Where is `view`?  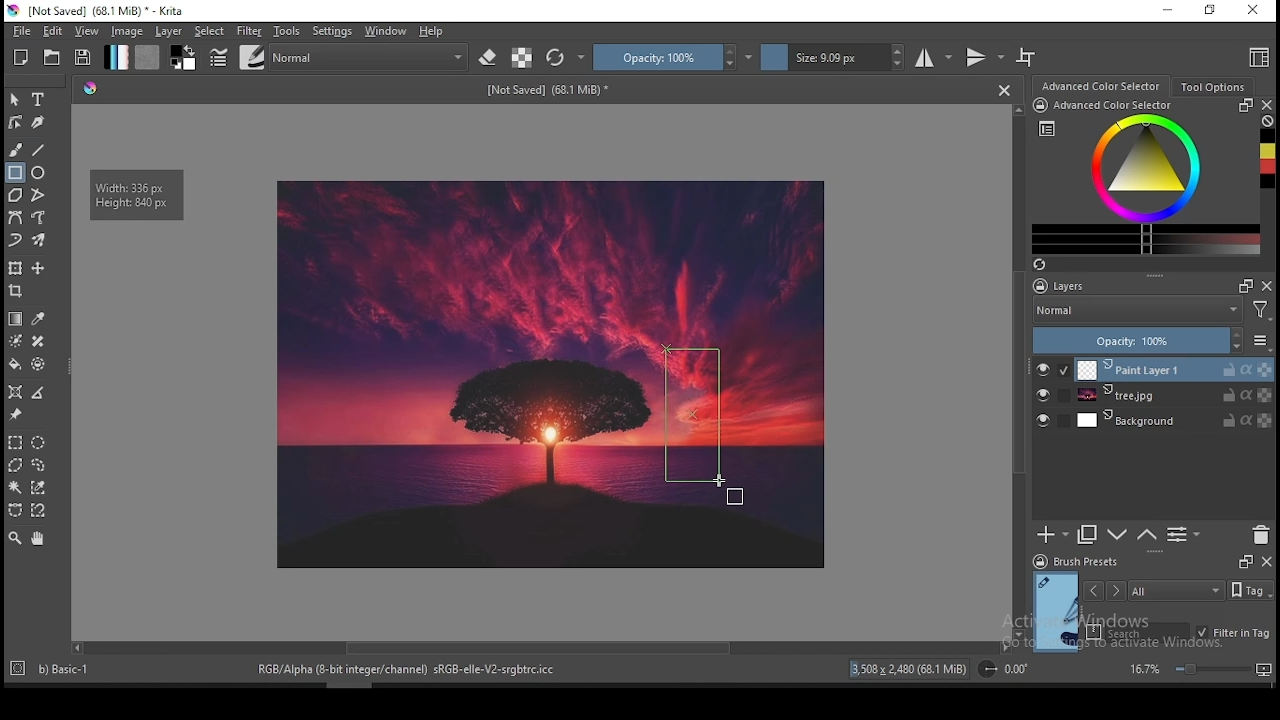 view is located at coordinates (89, 32).